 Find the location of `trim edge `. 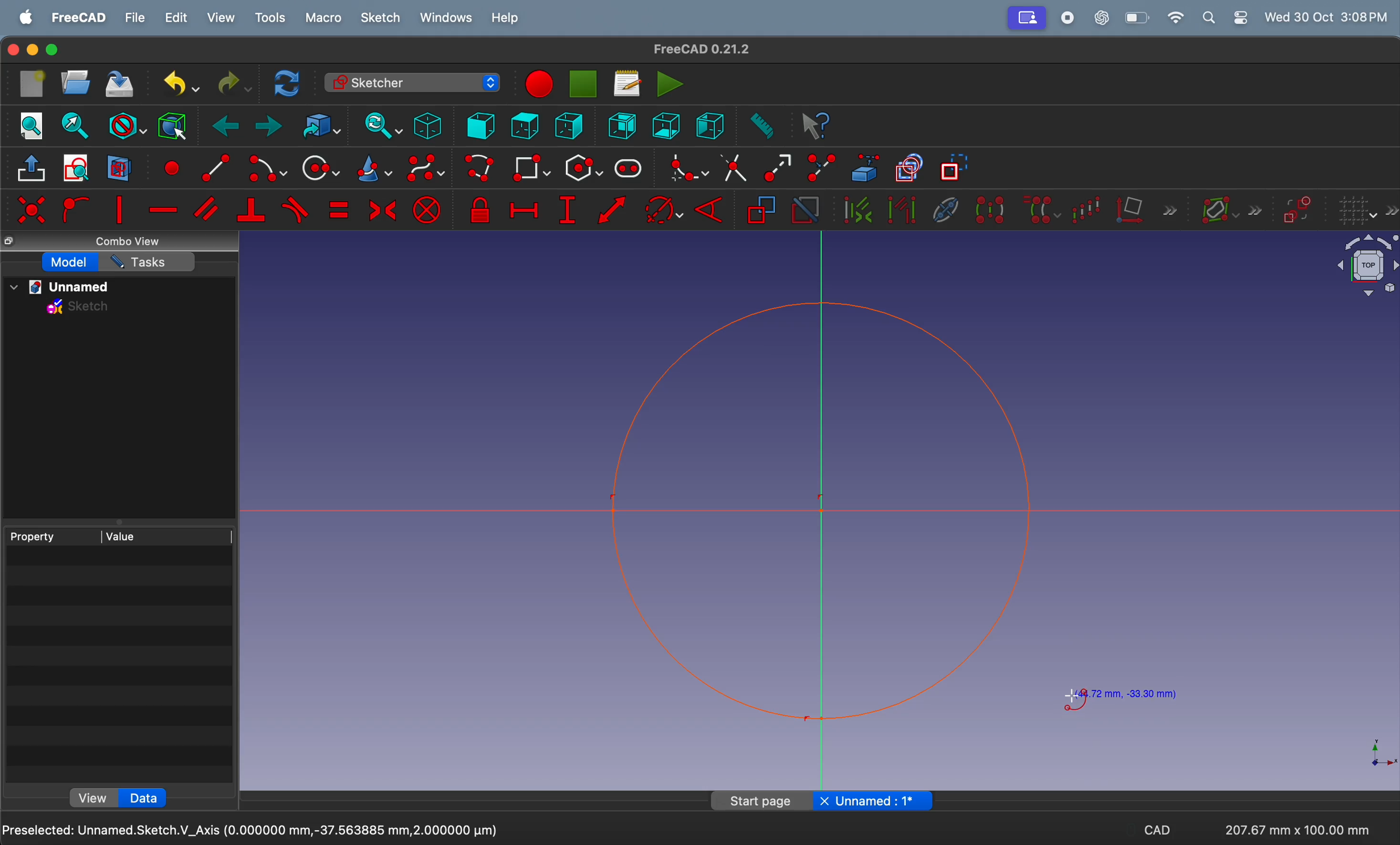

trim edge  is located at coordinates (733, 167).